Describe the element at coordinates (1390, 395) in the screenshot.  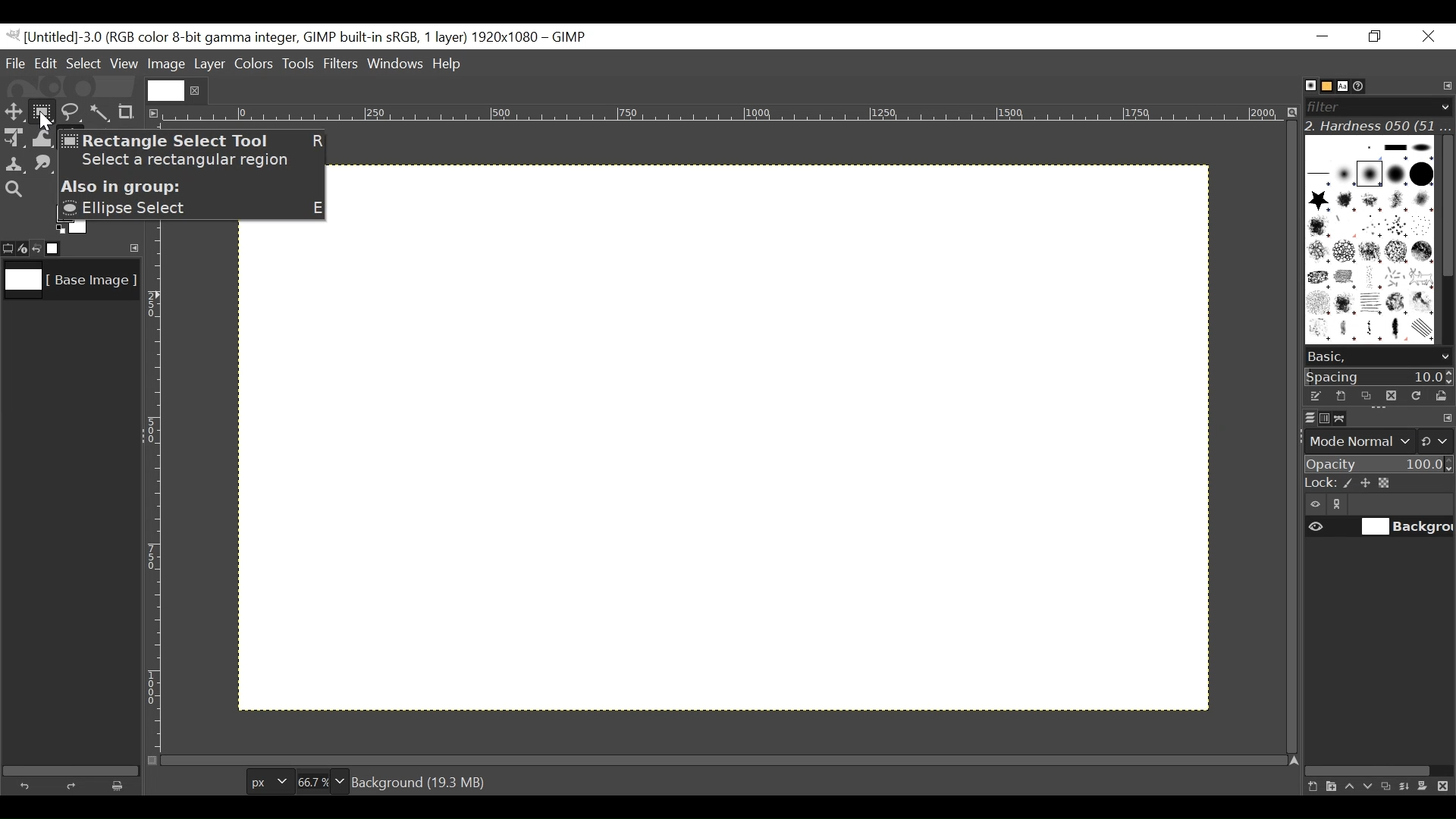
I see `Duplicate brush` at that location.